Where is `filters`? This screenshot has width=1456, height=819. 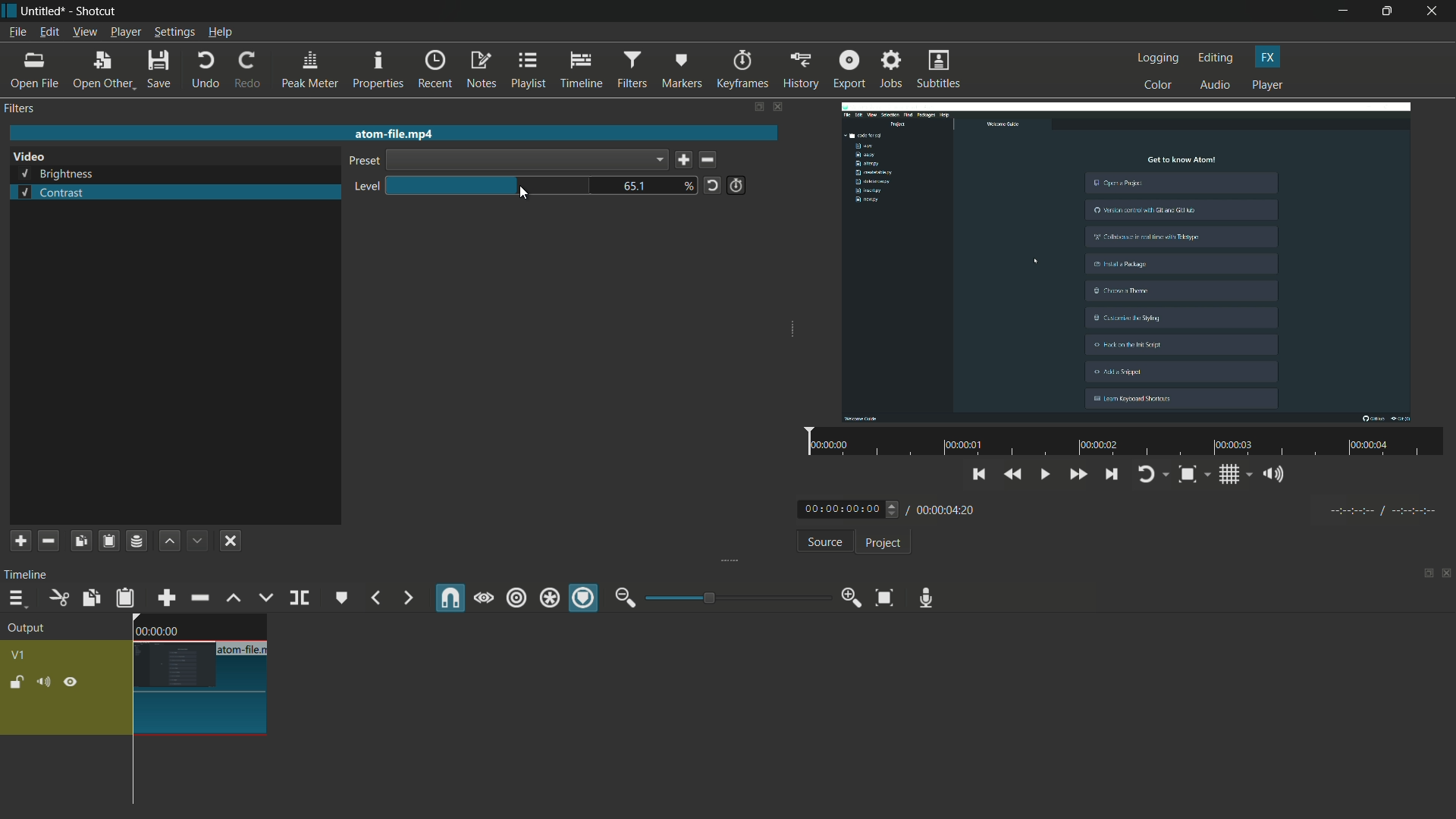
filters is located at coordinates (631, 70).